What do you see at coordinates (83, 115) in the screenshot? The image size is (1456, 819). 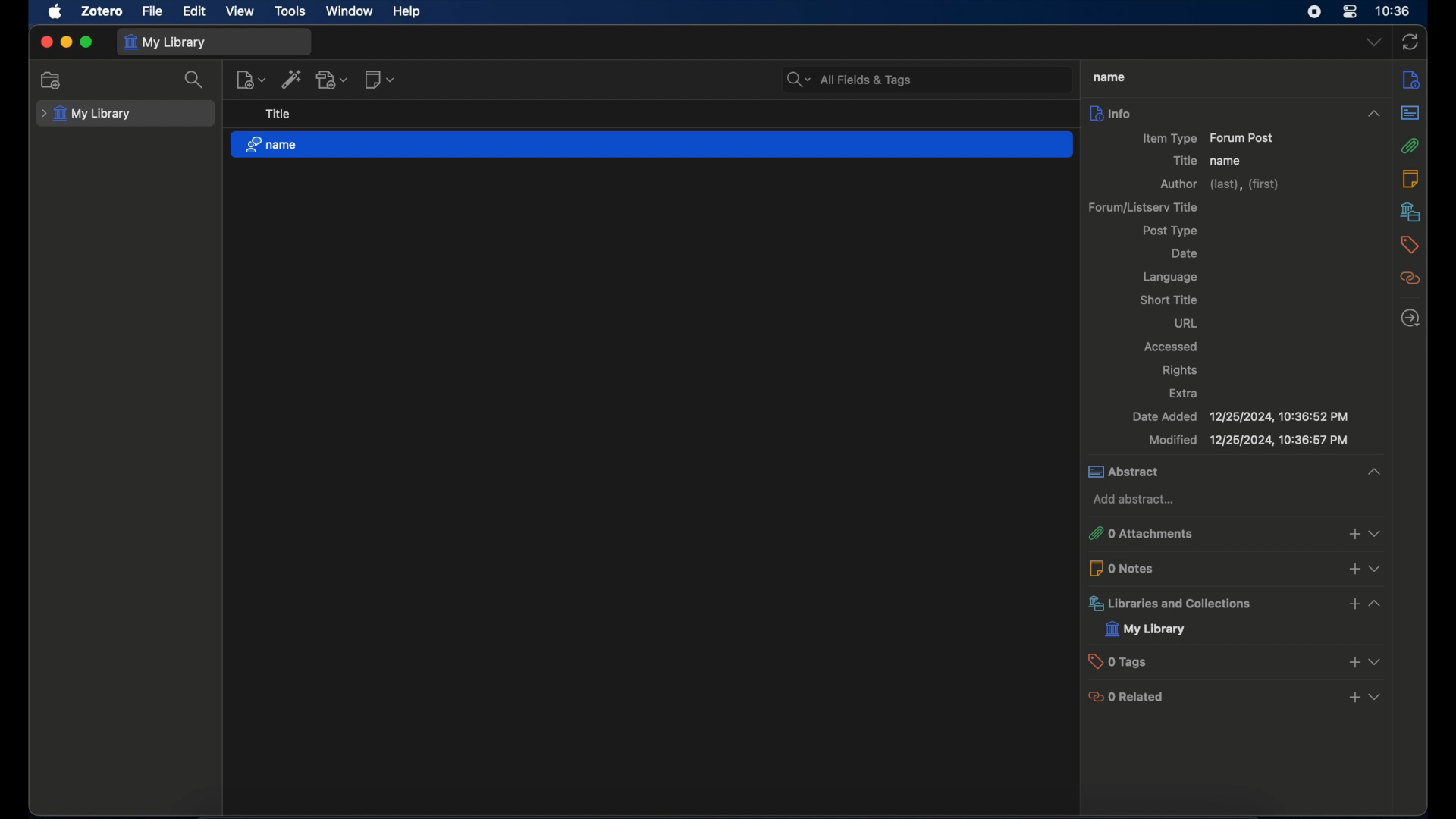 I see `my library` at bounding box center [83, 115].